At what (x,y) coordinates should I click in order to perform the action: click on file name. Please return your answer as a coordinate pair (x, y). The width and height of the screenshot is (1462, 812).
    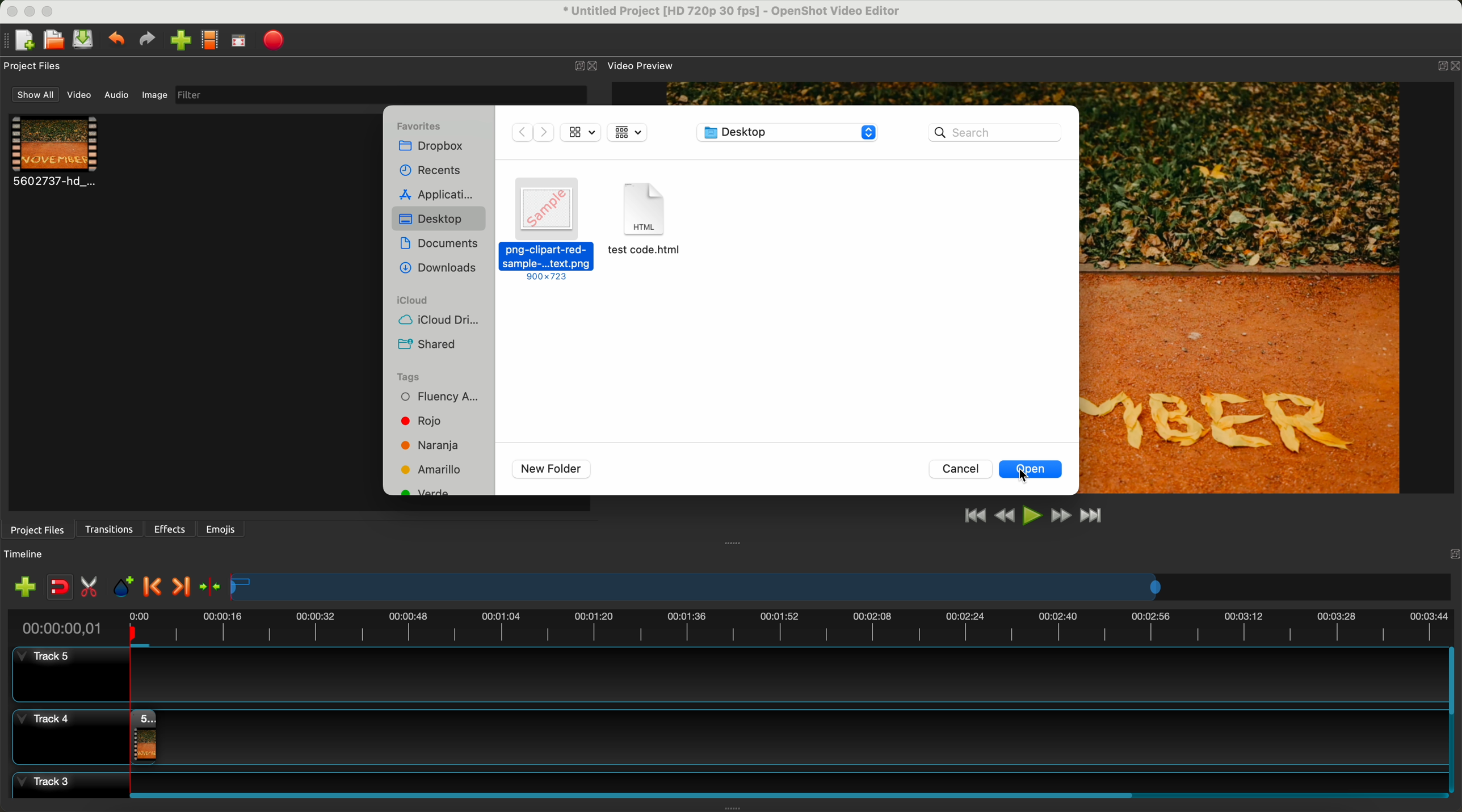
    Looking at the image, I should click on (725, 13).